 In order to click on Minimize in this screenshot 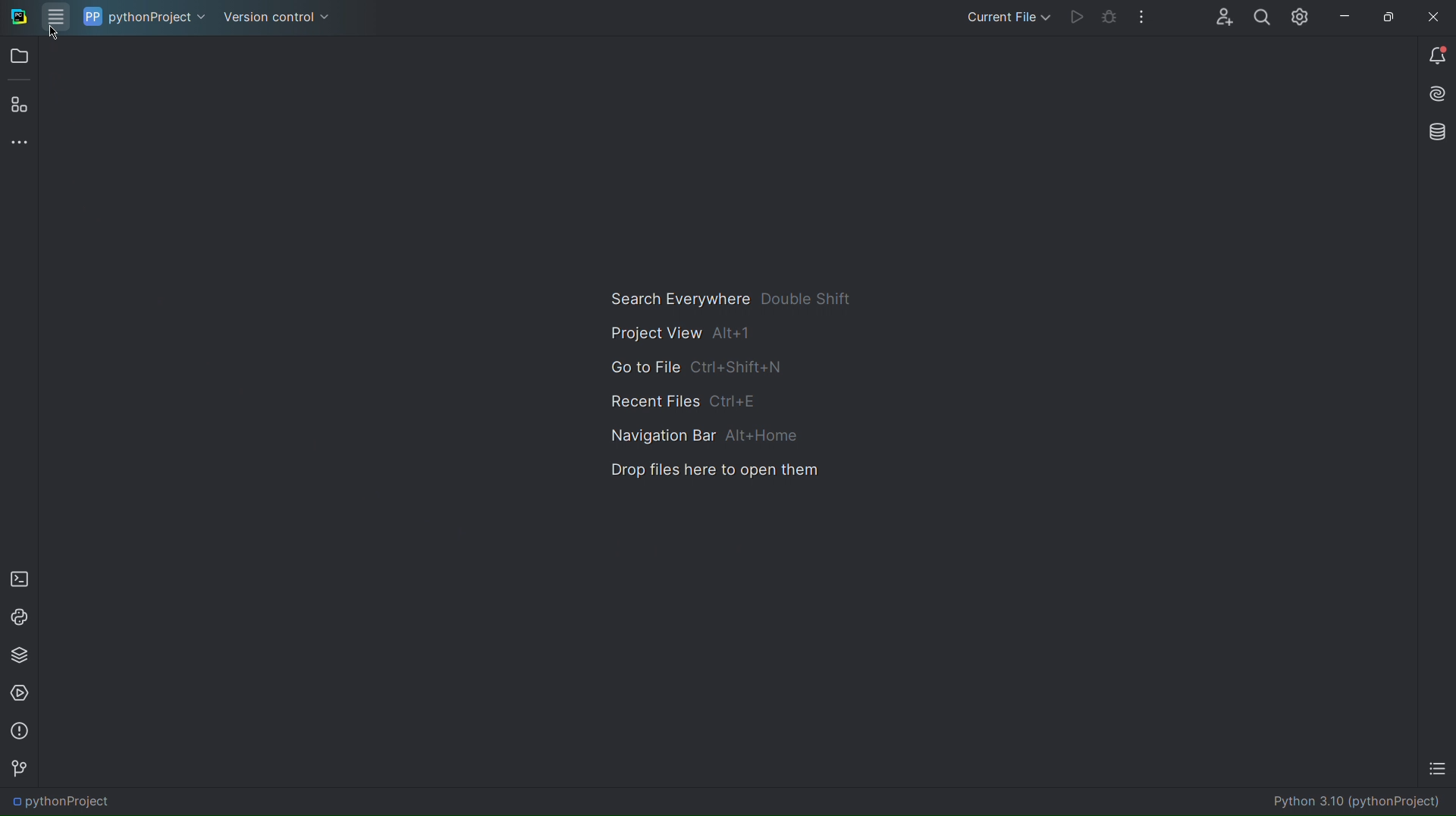, I will do `click(1343, 16)`.